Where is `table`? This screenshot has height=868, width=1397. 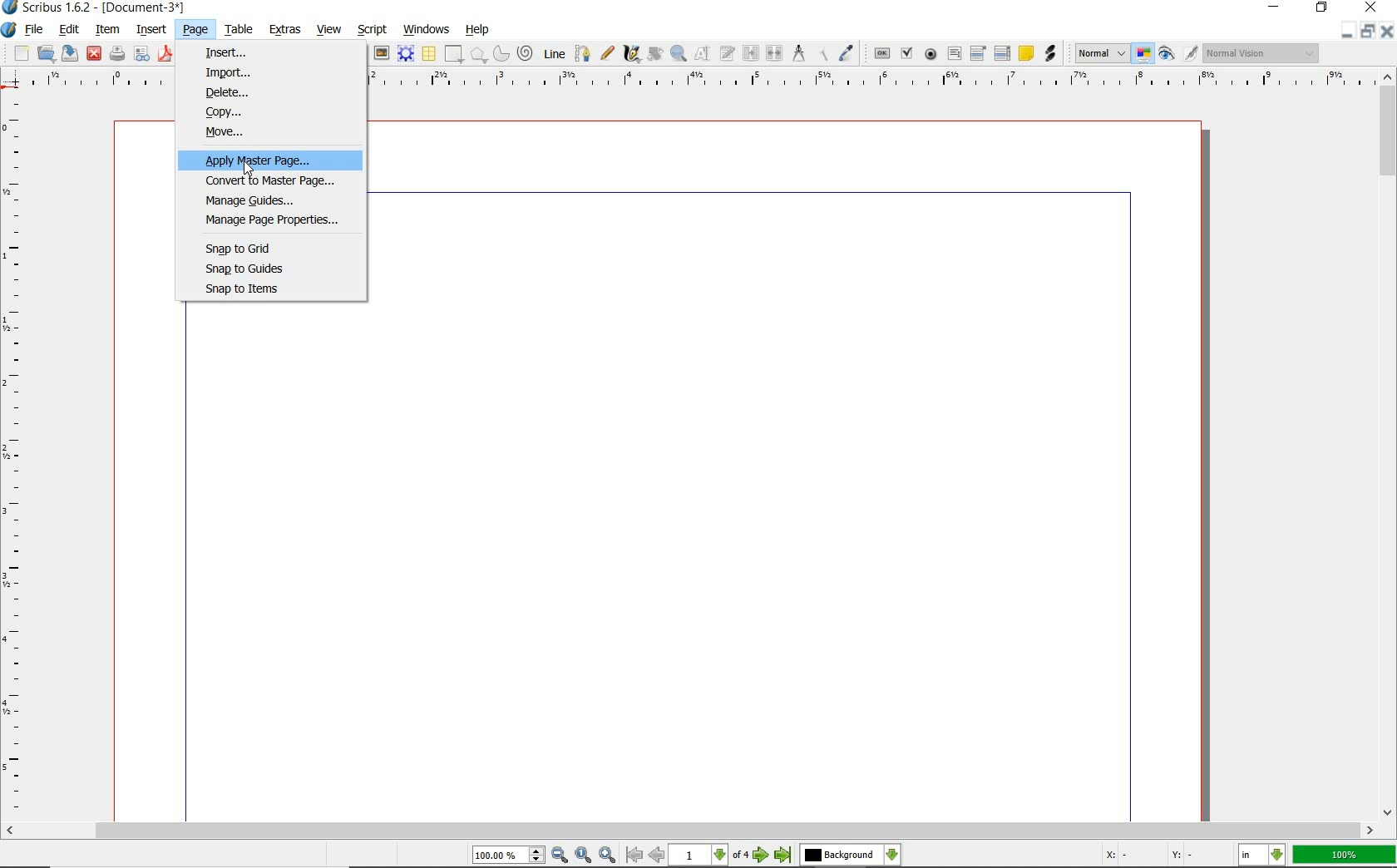 table is located at coordinates (238, 30).